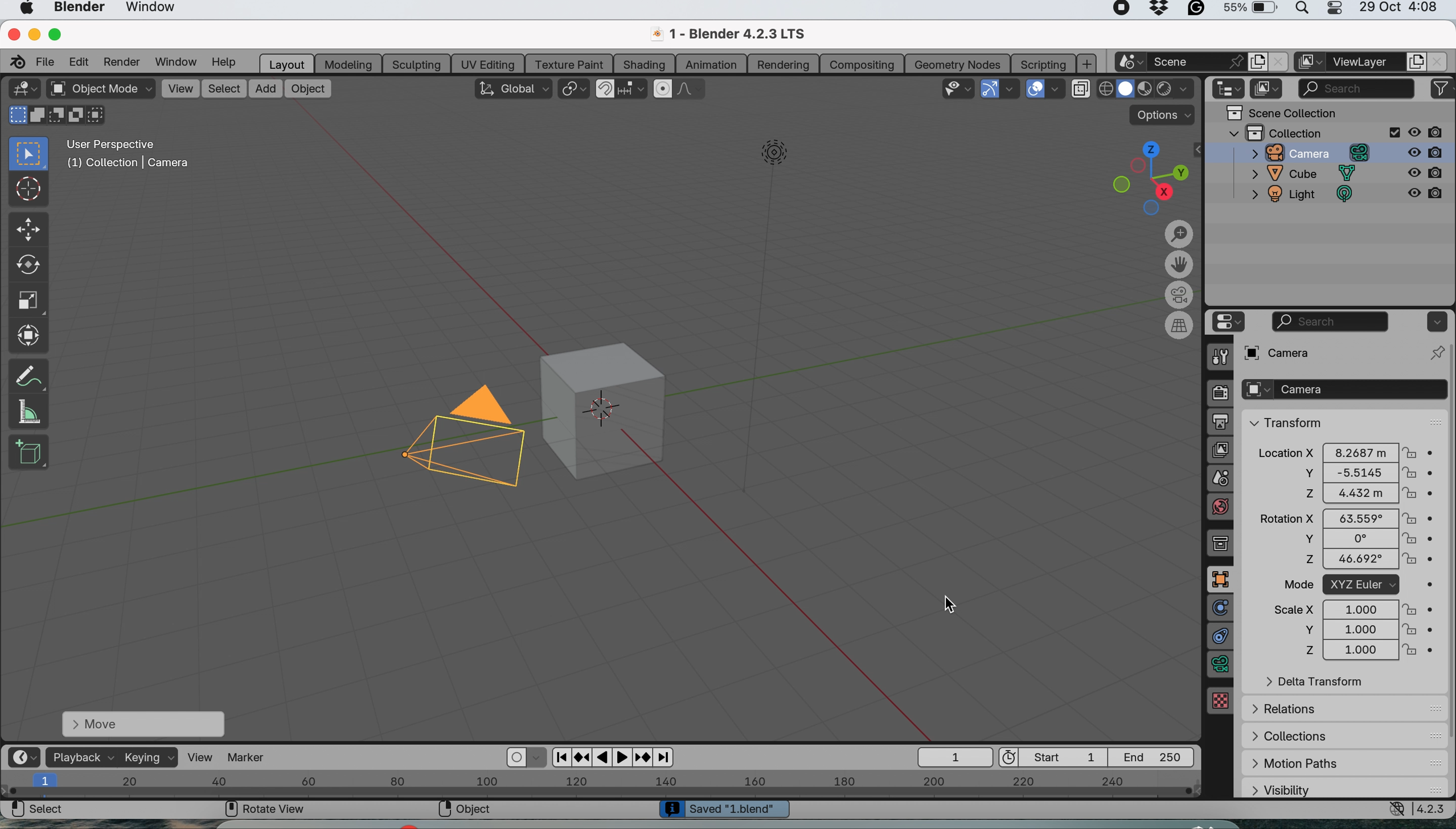  I want to click on visibility, so click(1307, 789).